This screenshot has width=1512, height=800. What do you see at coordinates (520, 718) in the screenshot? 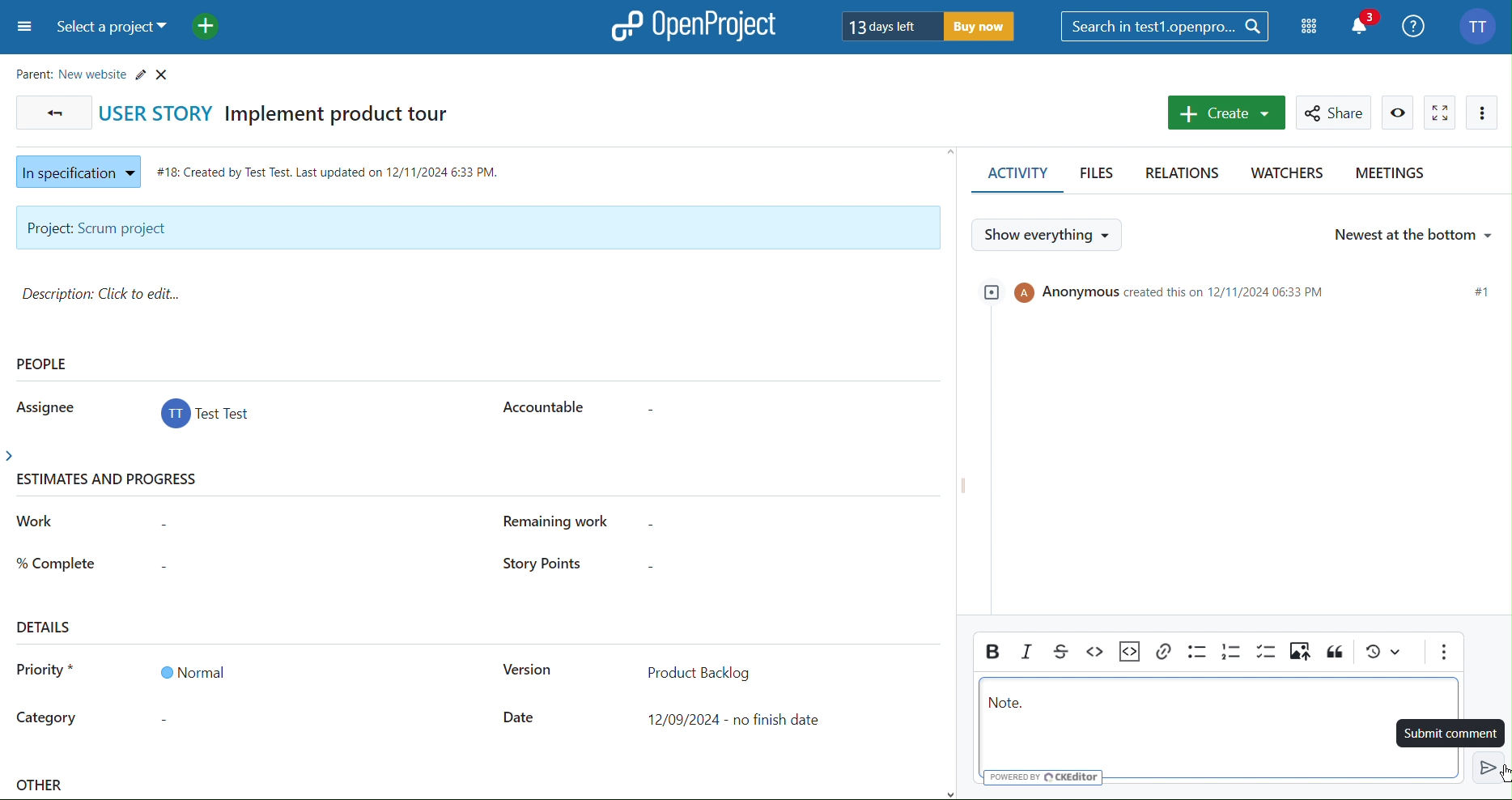
I see `Date` at bounding box center [520, 718].